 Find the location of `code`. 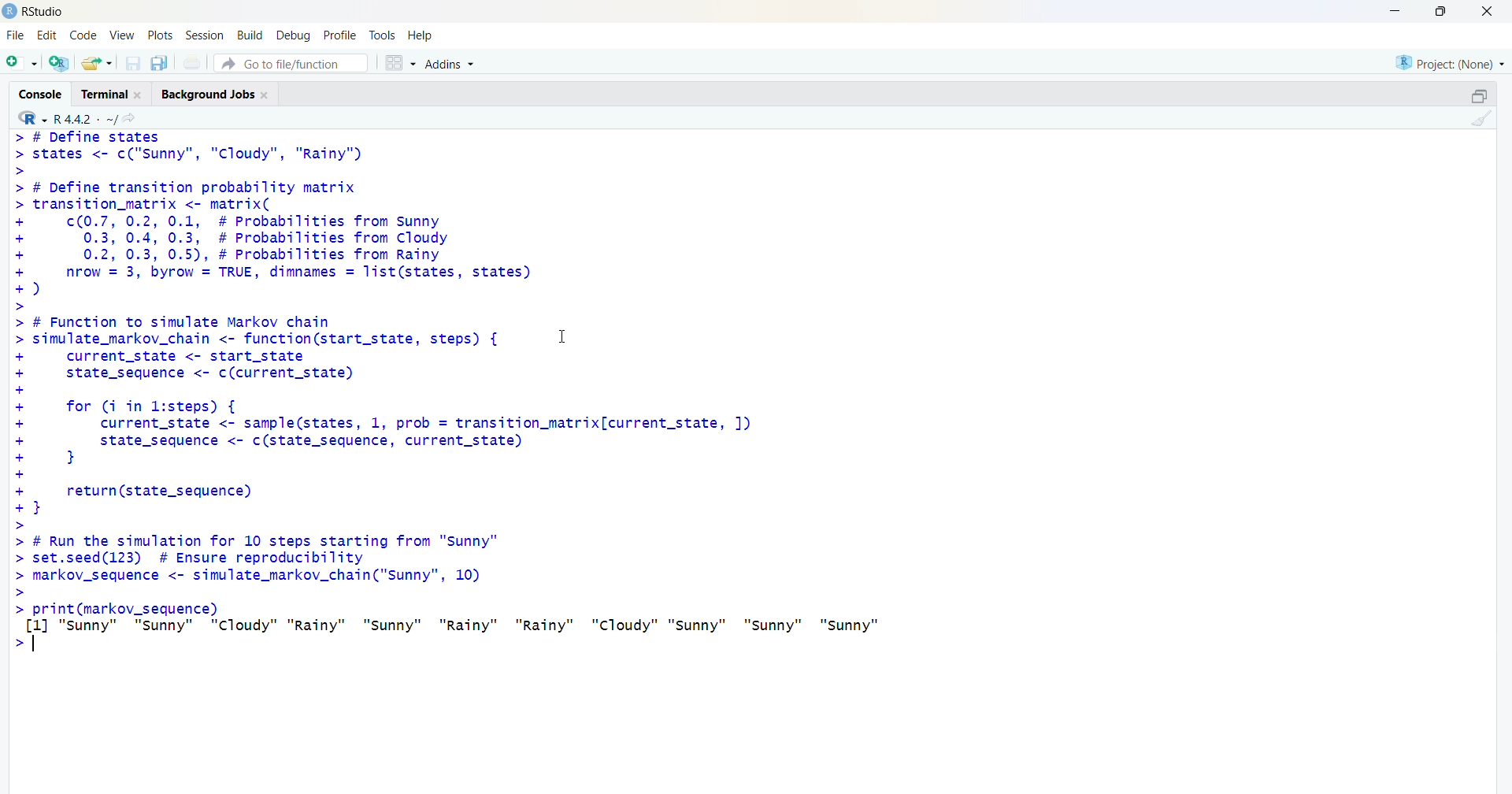

code is located at coordinates (86, 33).